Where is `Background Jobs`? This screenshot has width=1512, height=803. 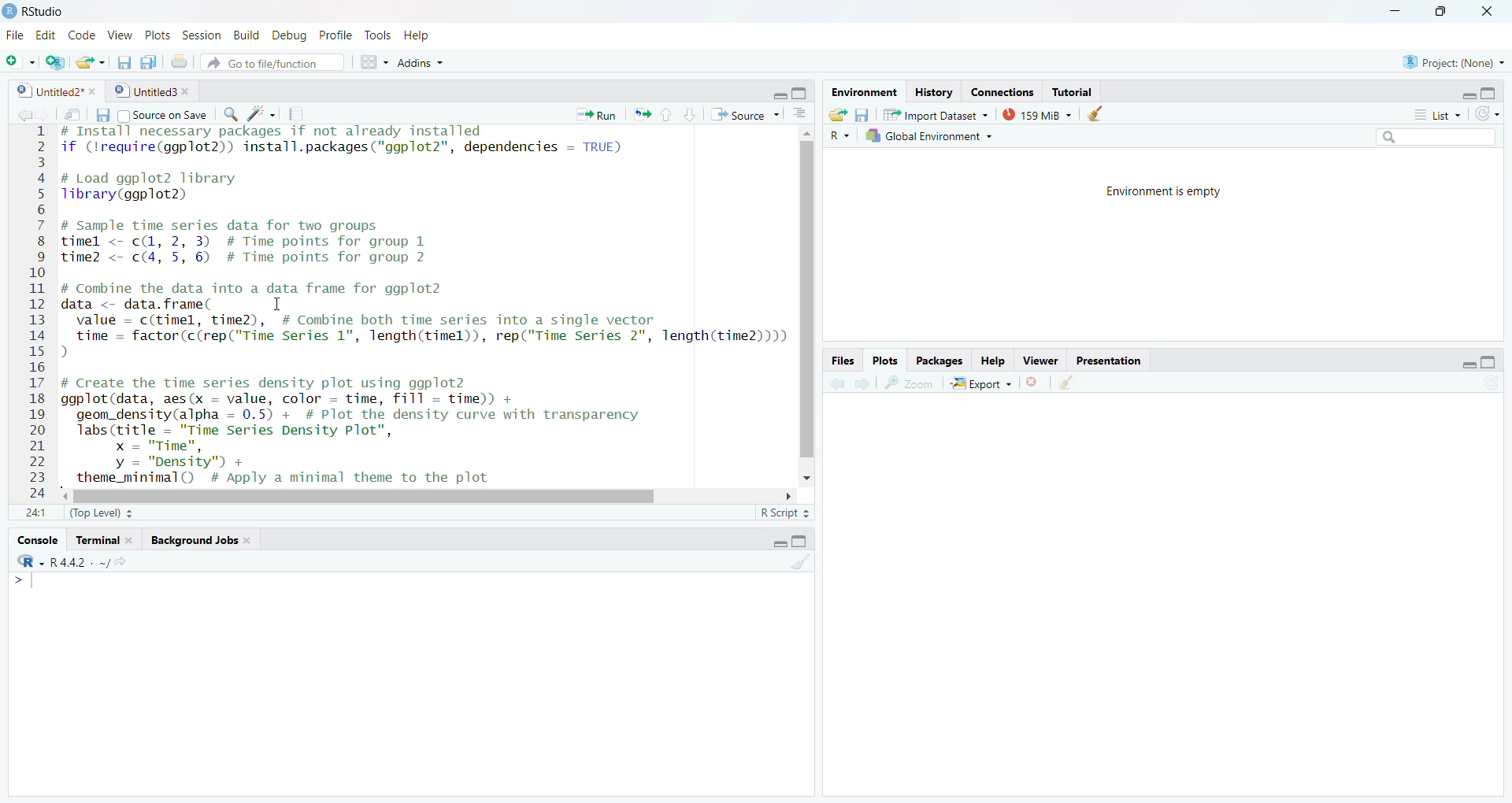
Background Jobs is located at coordinates (200, 539).